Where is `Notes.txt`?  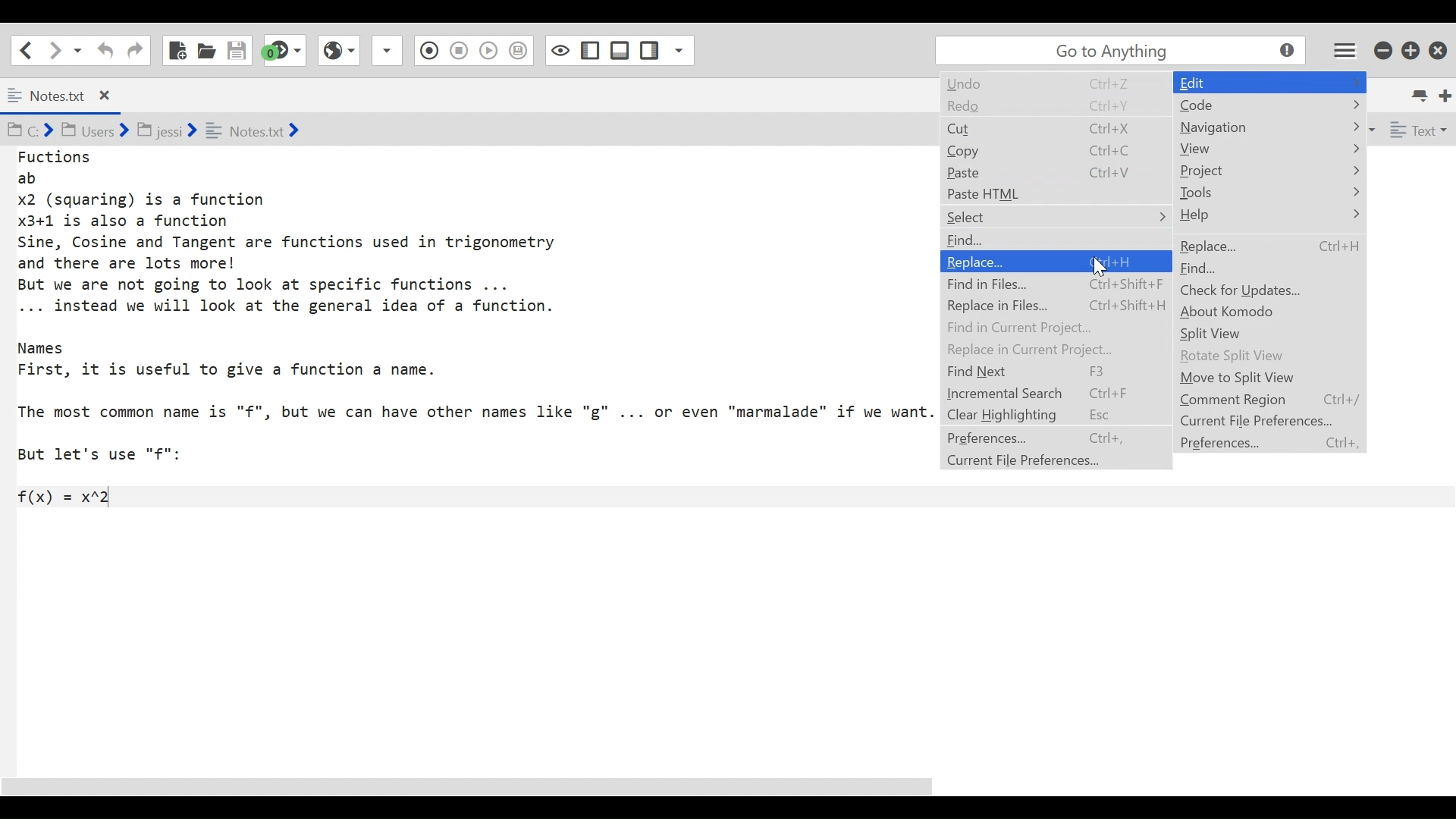
Notes.txt is located at coordinates (71, 96).